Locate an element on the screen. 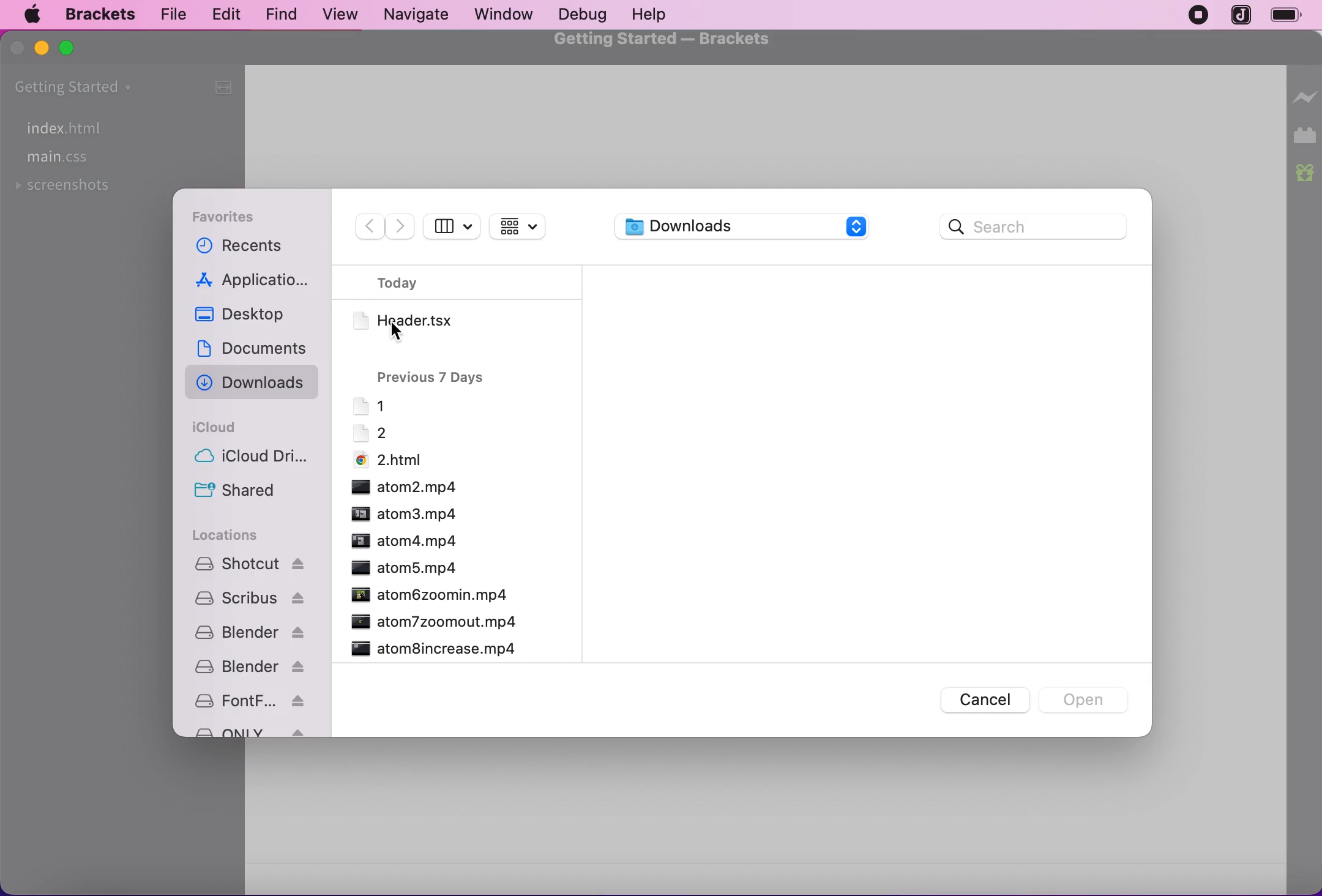  ONLY is located at coordinates (248, 730).